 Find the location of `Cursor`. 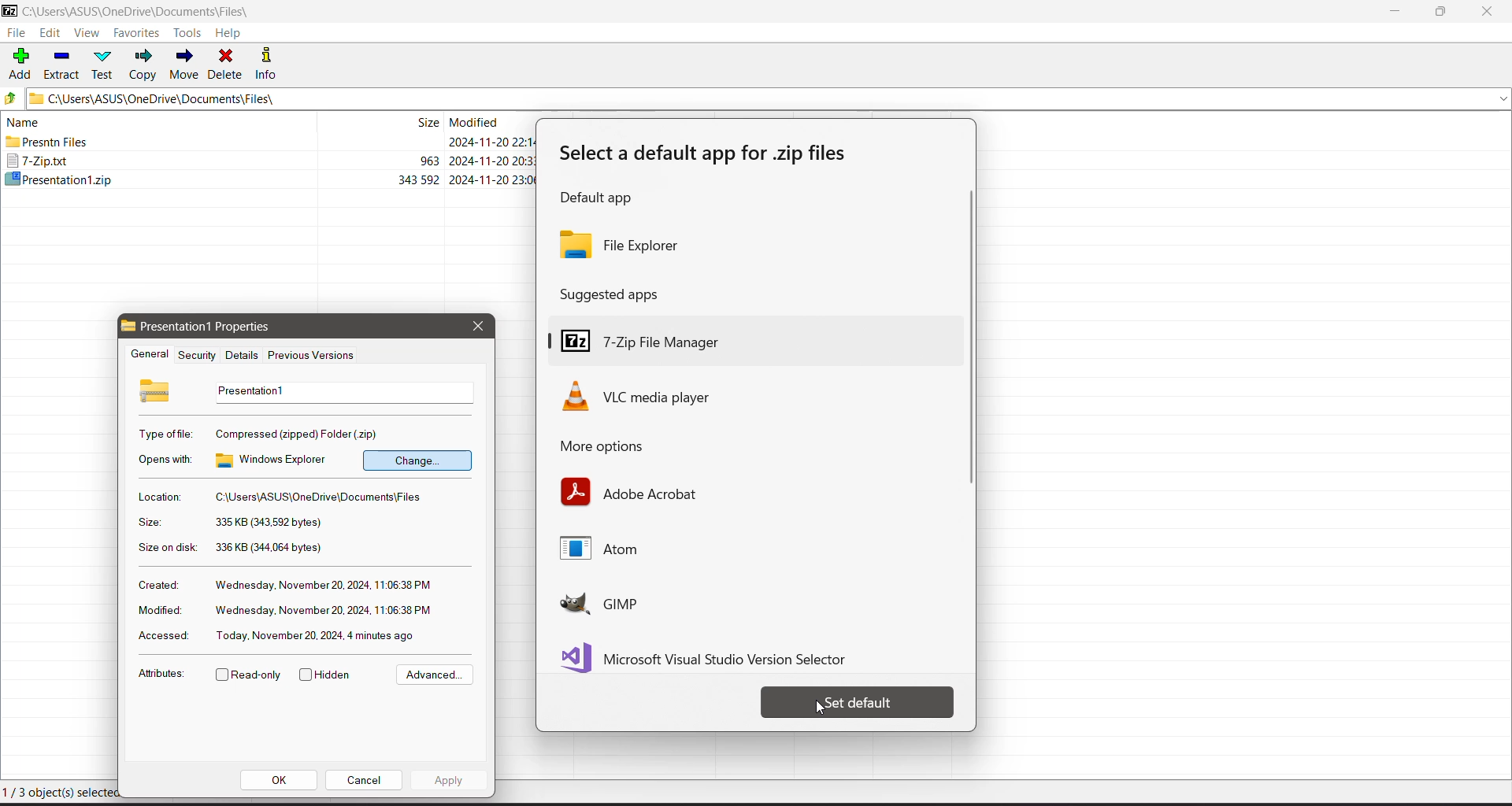

Cursor is located at coordinates (817, 708).